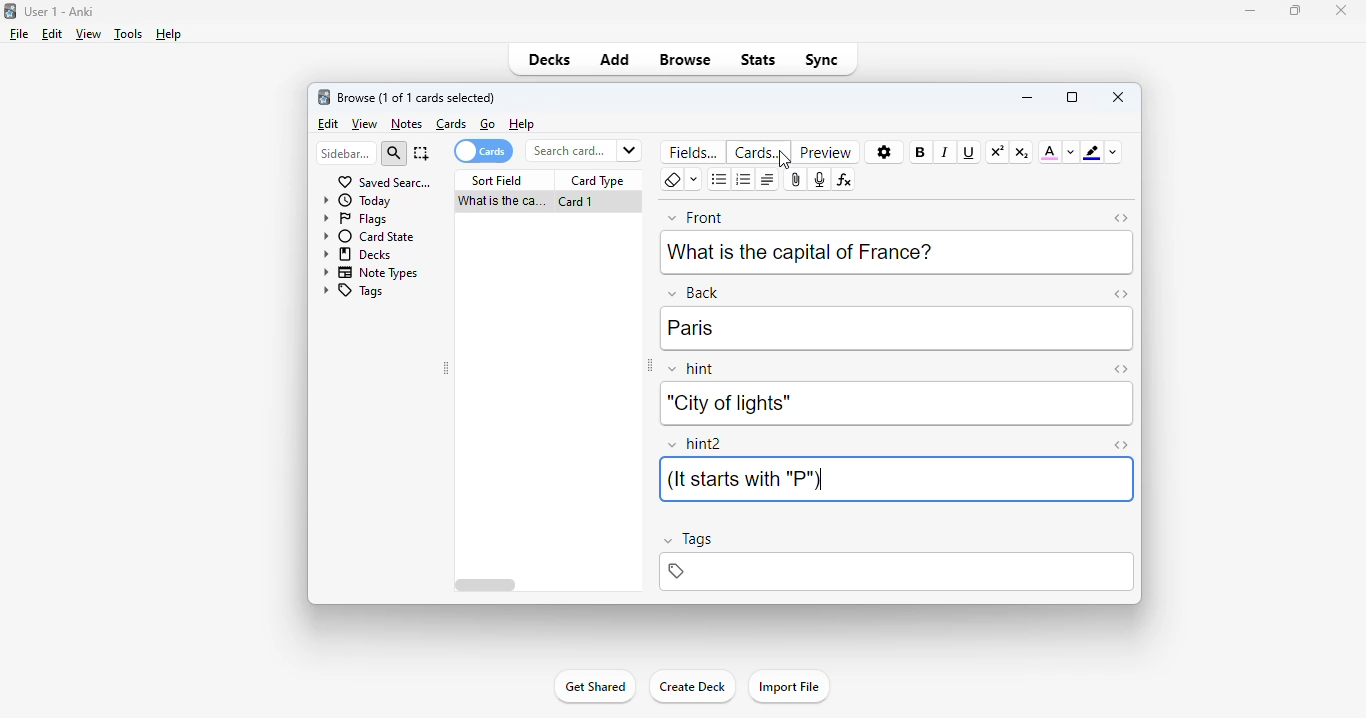 The height and width of the screenshot is (718, 1366). What do you see at coordinates (346, 153) in the screenshot?
I see `sidebar filter` at bounding box center [346, 153].